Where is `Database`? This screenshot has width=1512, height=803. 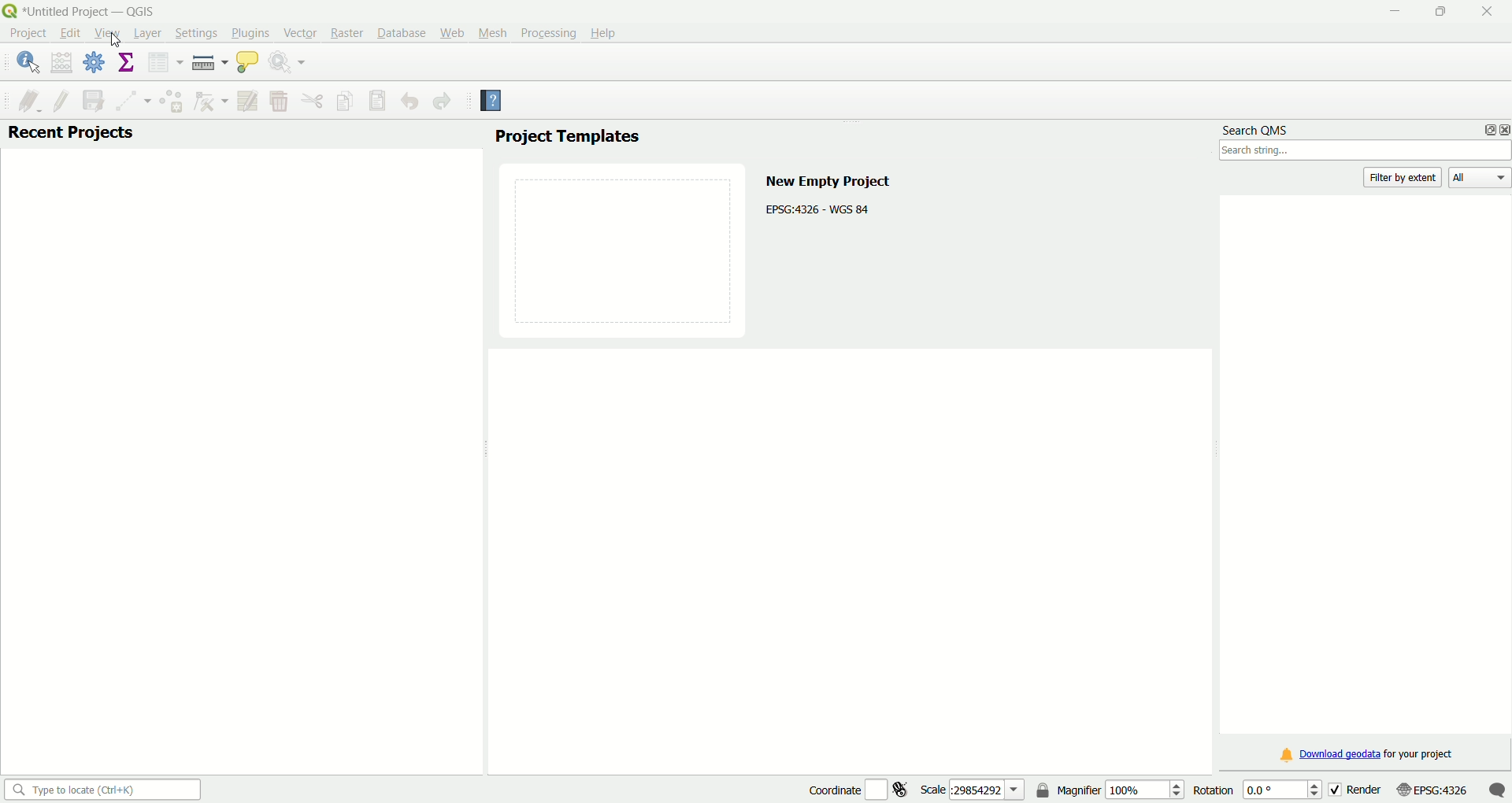
Database is located at coordinates (401, 33).